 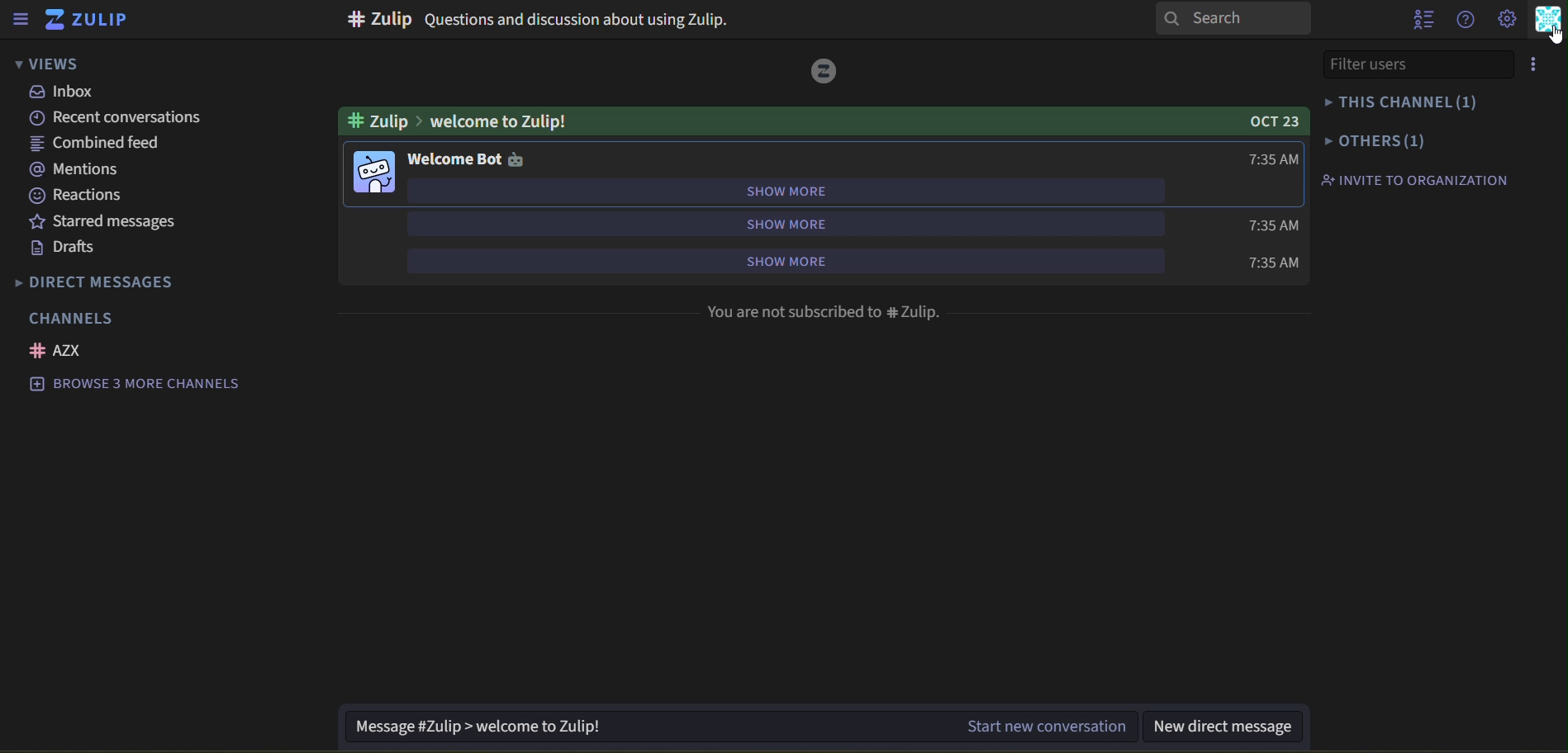 I want to click on filter users, so click(x=1418, y=64).